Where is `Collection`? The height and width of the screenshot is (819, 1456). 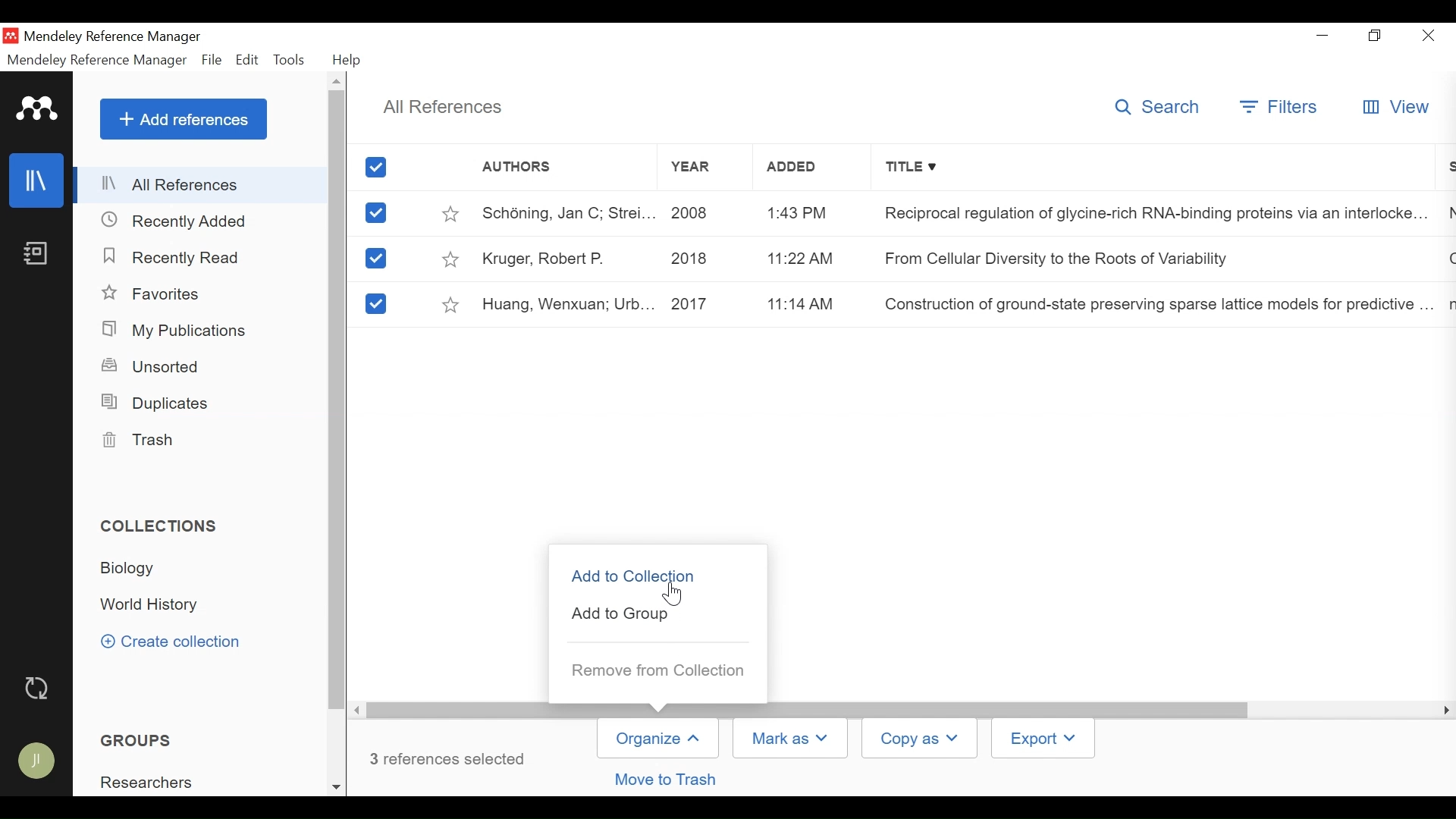 Collection is located at coordinates (154, 606).